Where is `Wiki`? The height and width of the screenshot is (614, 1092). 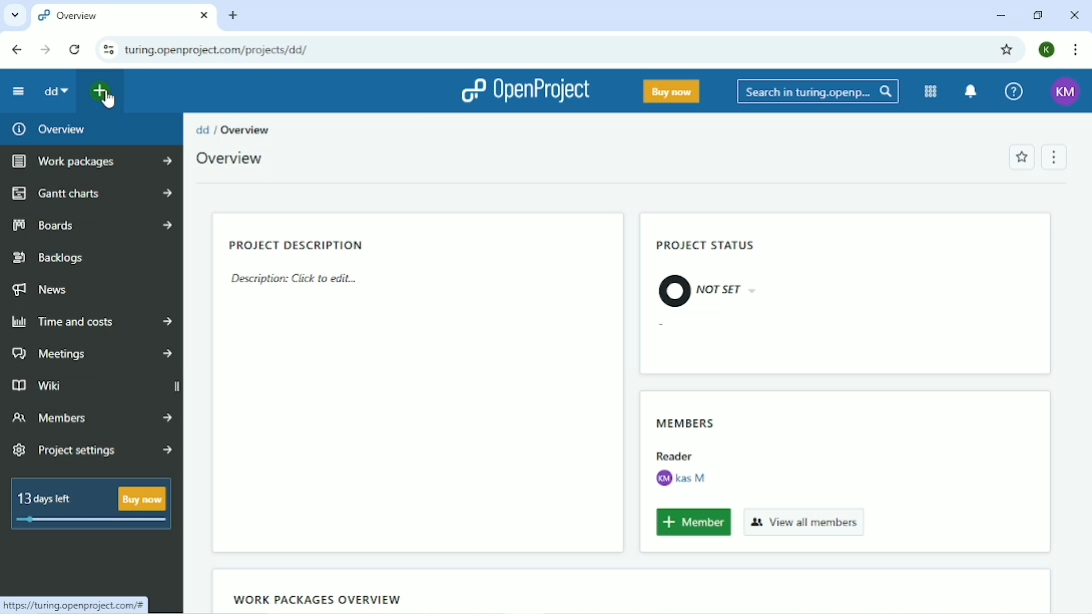
Wiki is located at coordinates (93, 387).